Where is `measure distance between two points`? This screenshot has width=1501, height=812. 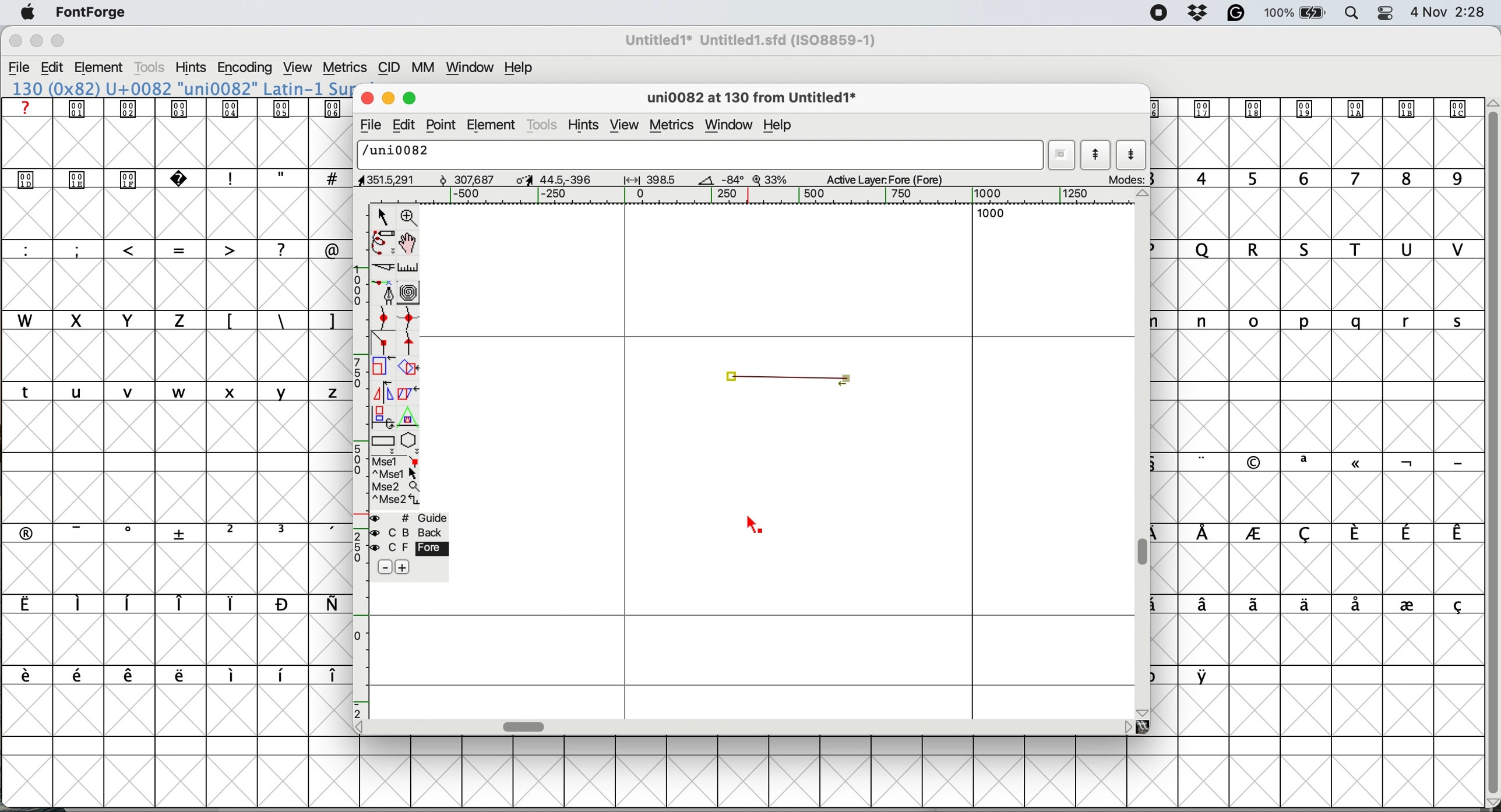
measure distance between two points is located at coordinates (409, 270).